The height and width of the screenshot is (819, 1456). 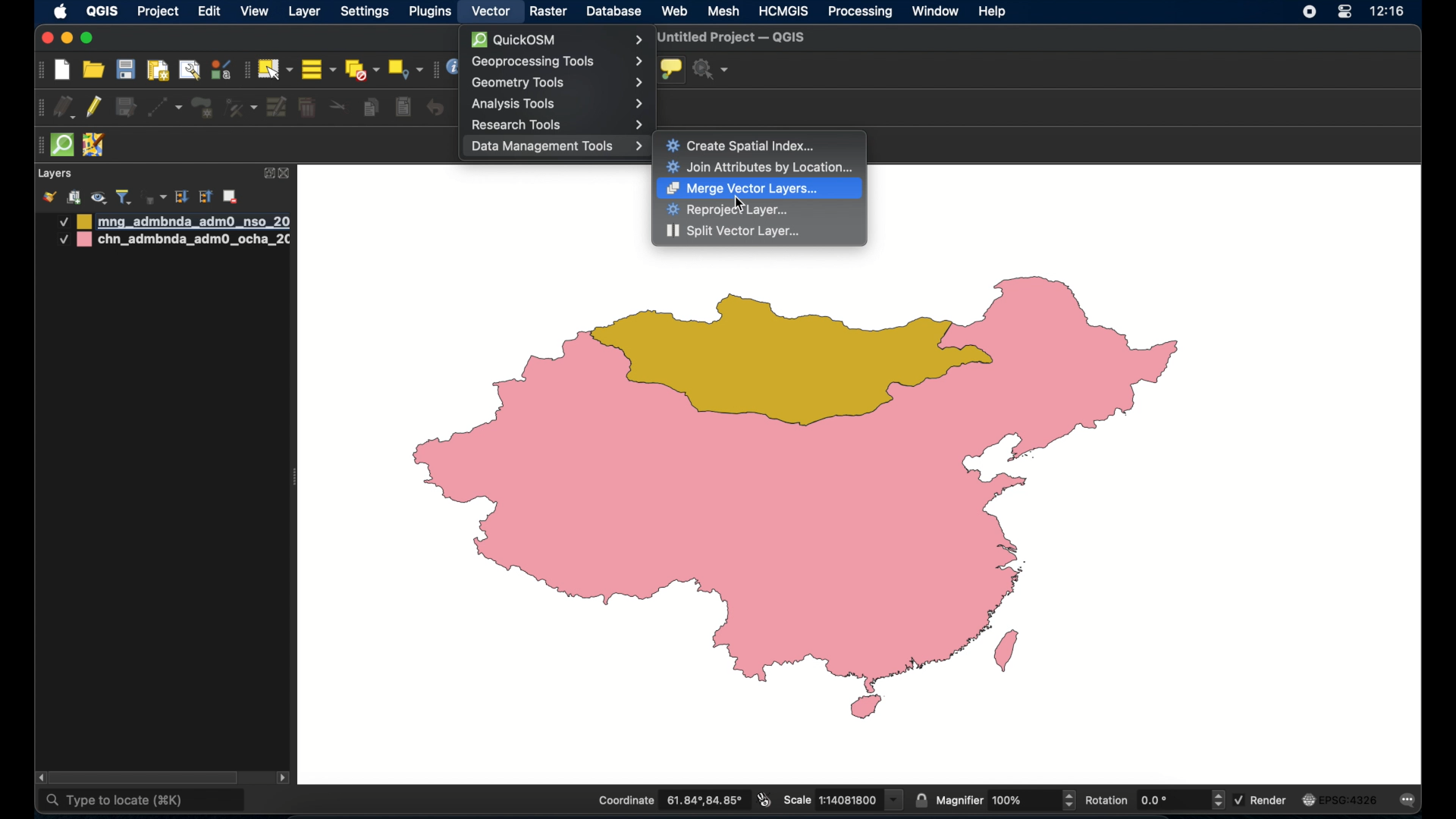 What do you see at coordinates (405, 68) in the screenshot?
I see `select by location ` at bounding box center [405, 68].